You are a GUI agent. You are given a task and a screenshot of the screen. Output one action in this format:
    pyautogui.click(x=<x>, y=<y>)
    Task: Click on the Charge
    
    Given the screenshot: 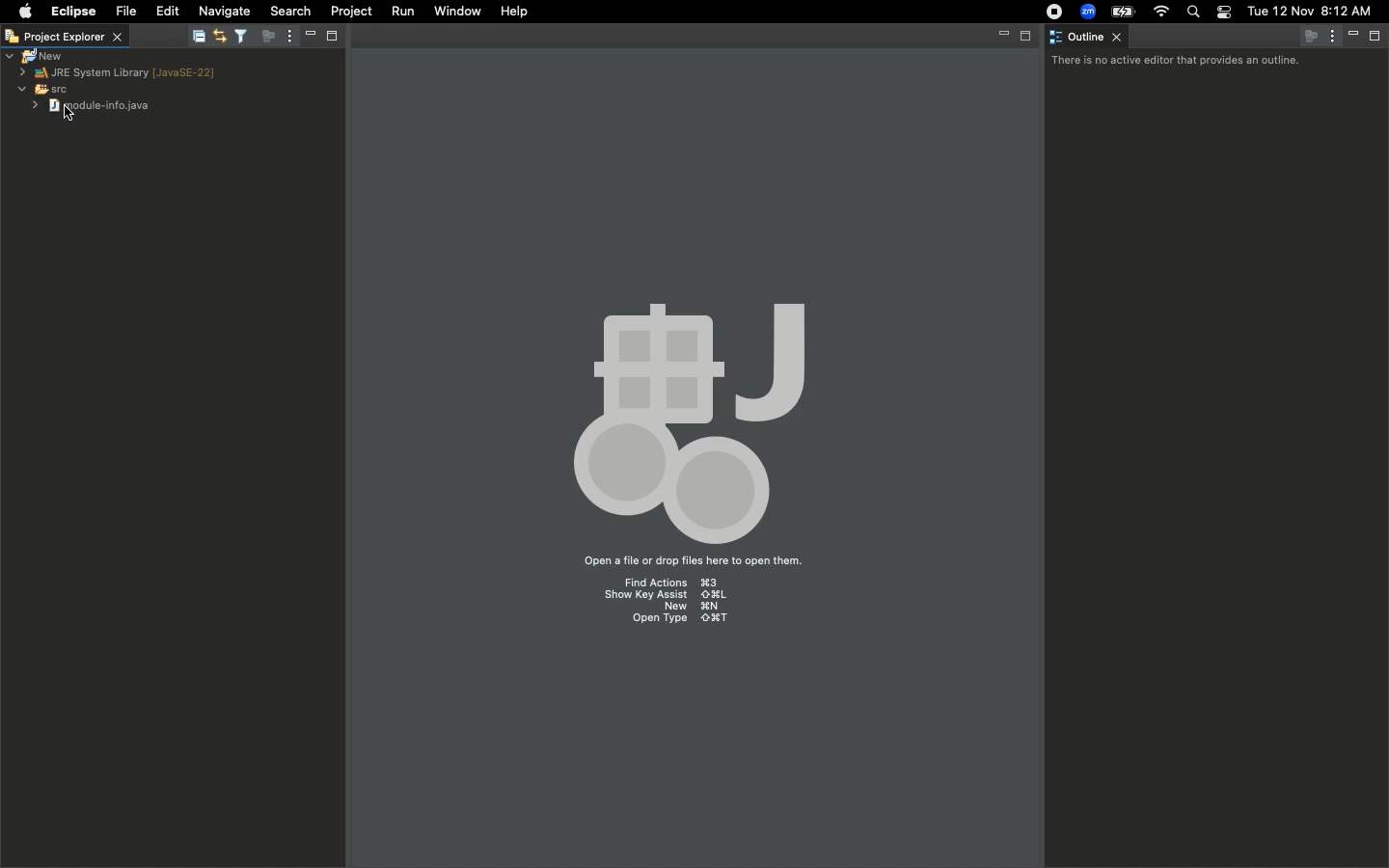 What is the action you would take?
    pyautogui.click(x=1119, y=14)
    